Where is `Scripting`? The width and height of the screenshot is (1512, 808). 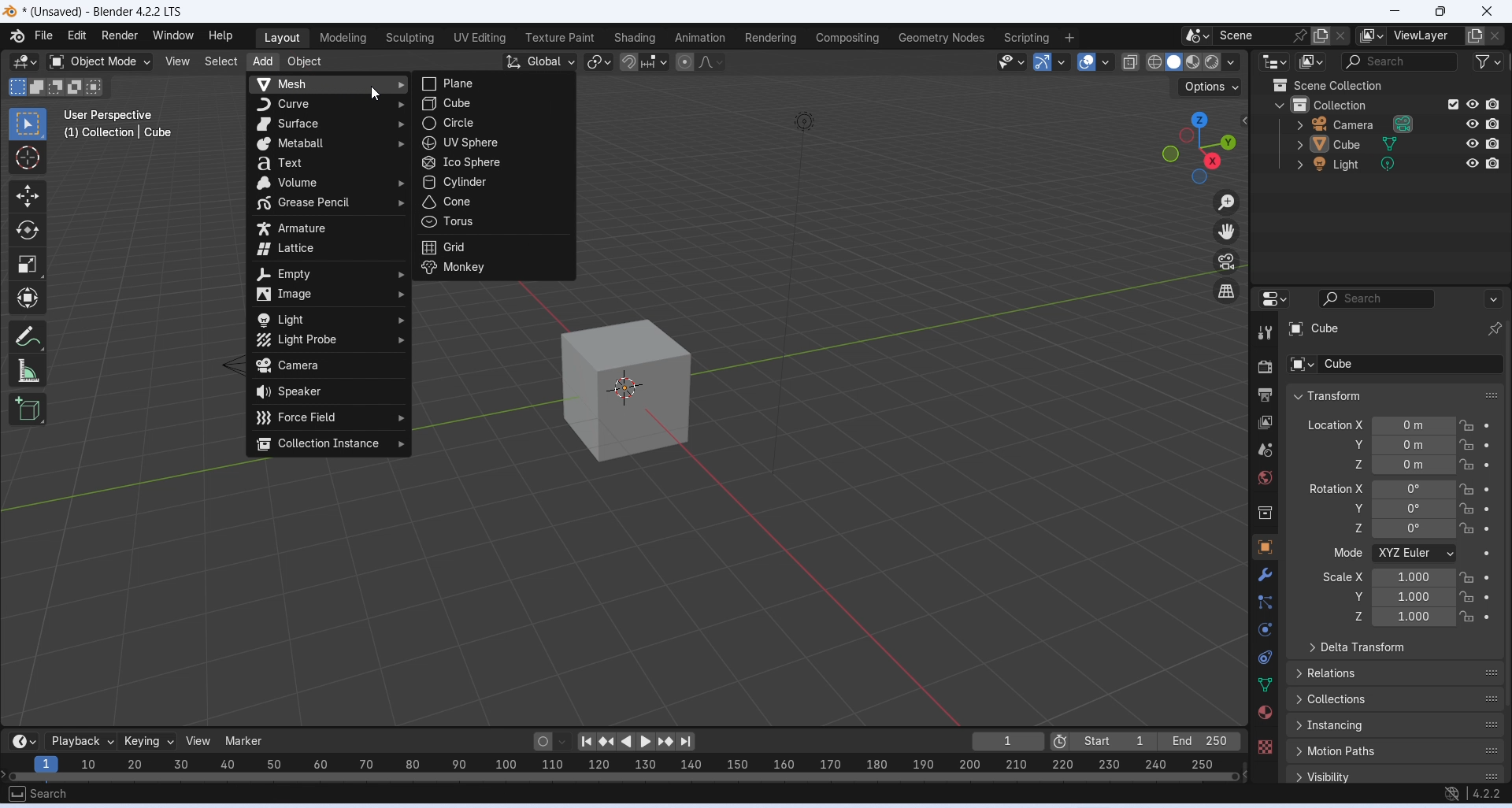
Scripting is located at coordinates (1025, 38).